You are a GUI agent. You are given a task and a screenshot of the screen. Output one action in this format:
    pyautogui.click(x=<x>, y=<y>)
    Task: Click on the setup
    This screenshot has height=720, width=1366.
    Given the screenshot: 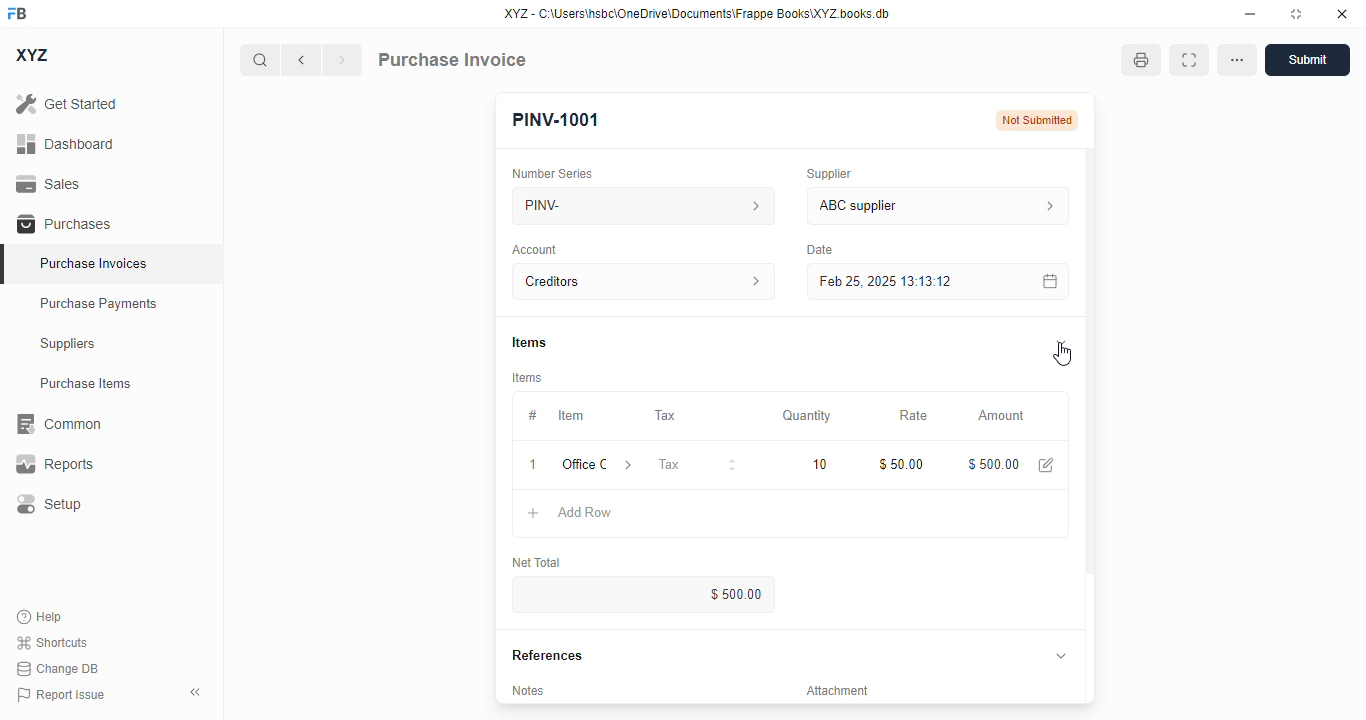 What is the action you would take?
    pyautogui.click(x=47, y=505)
    